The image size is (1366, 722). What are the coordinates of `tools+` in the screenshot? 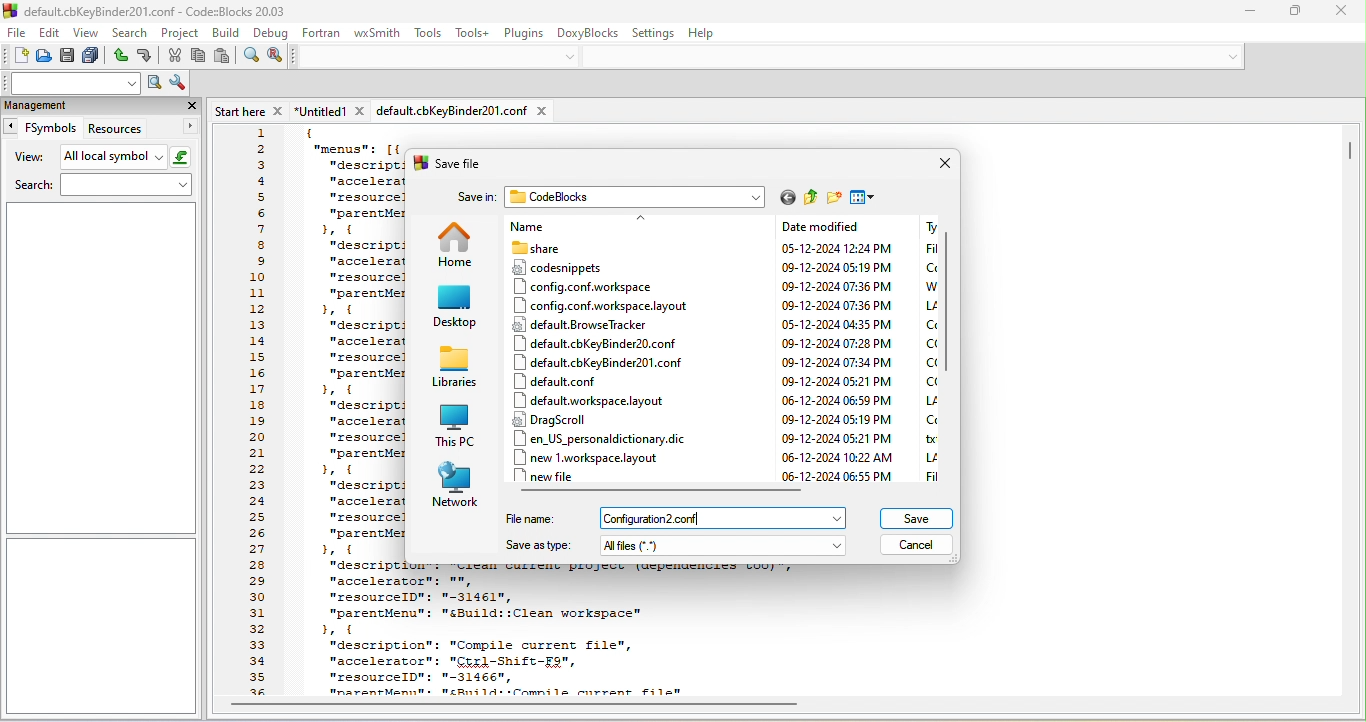 It's located at (474, 34).